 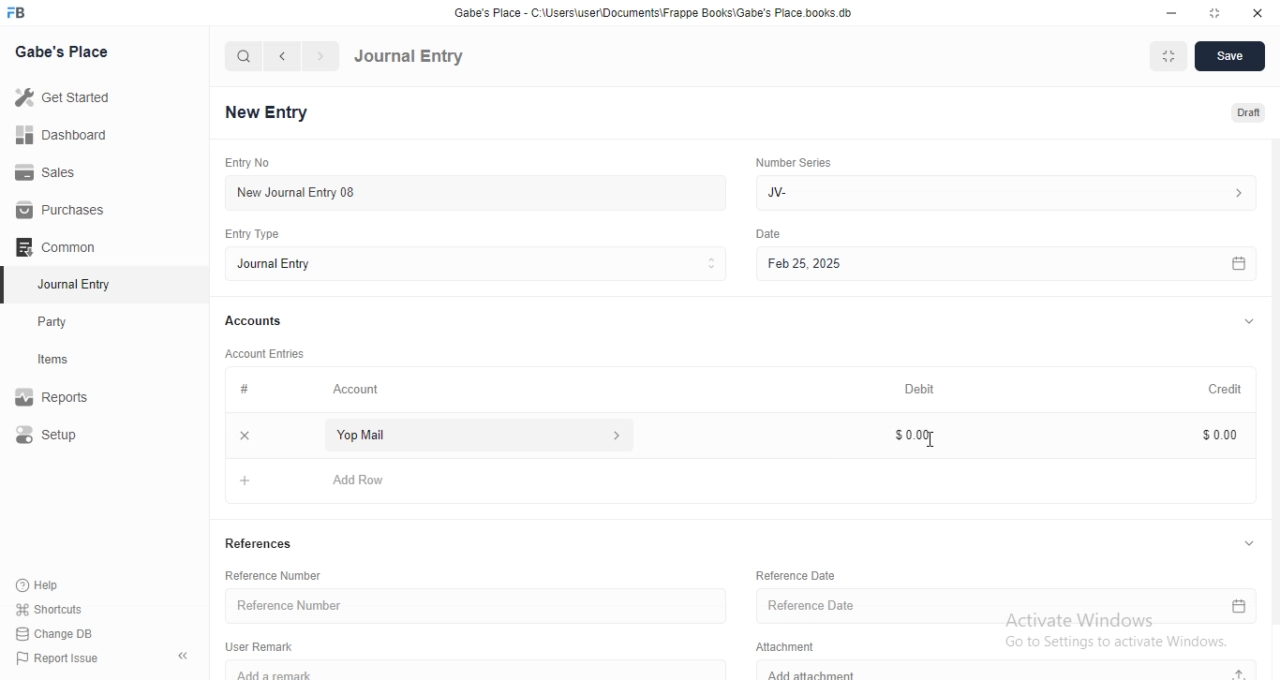 What do you see at coordinates (63, 584) in the screenshot?
I see `Help` at bounding box center [63, 584].